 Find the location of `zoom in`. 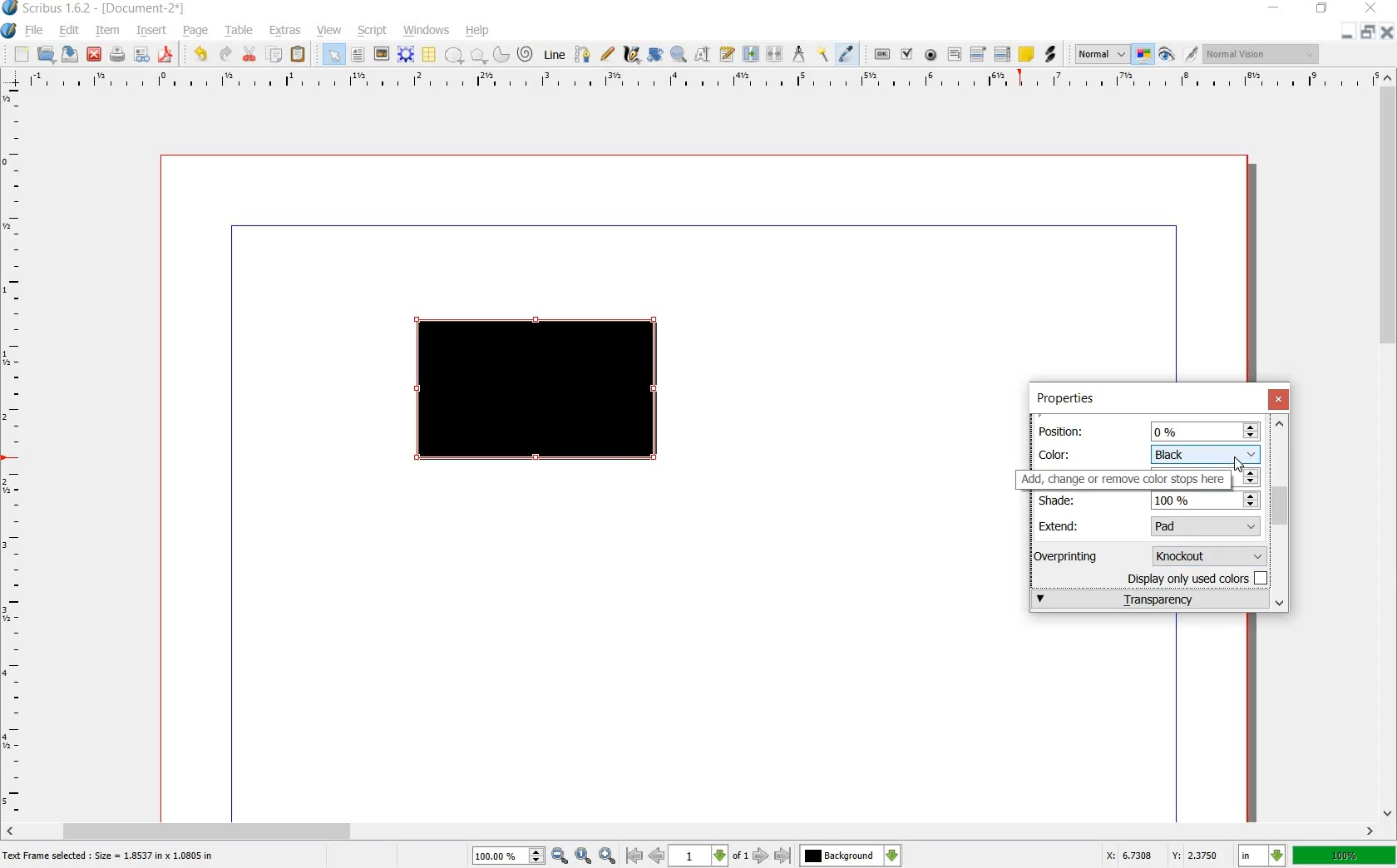

zoom in is located at coordinates (608, 856).